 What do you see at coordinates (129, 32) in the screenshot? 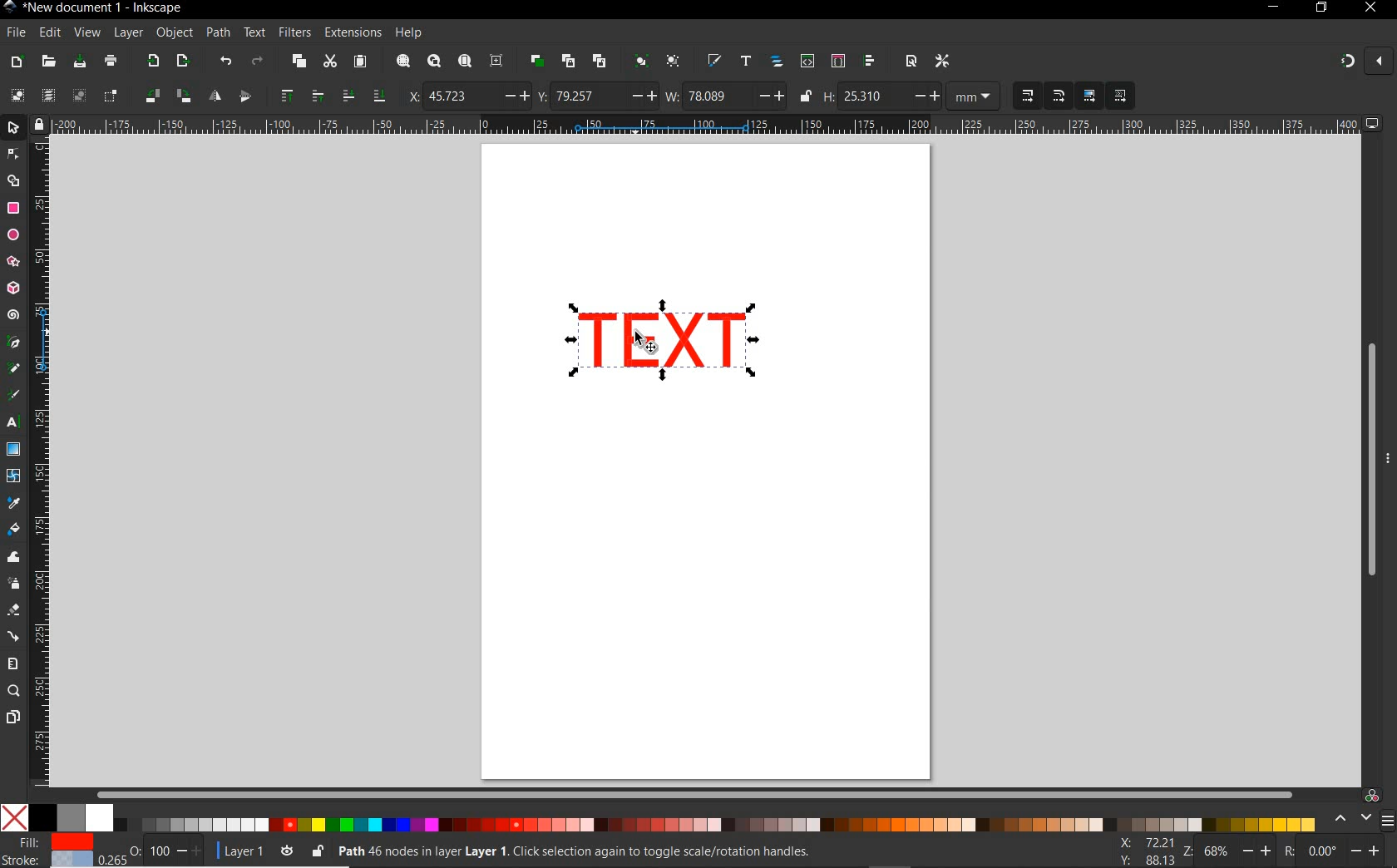
I see `LAYER` at bounding box center [129, 32].